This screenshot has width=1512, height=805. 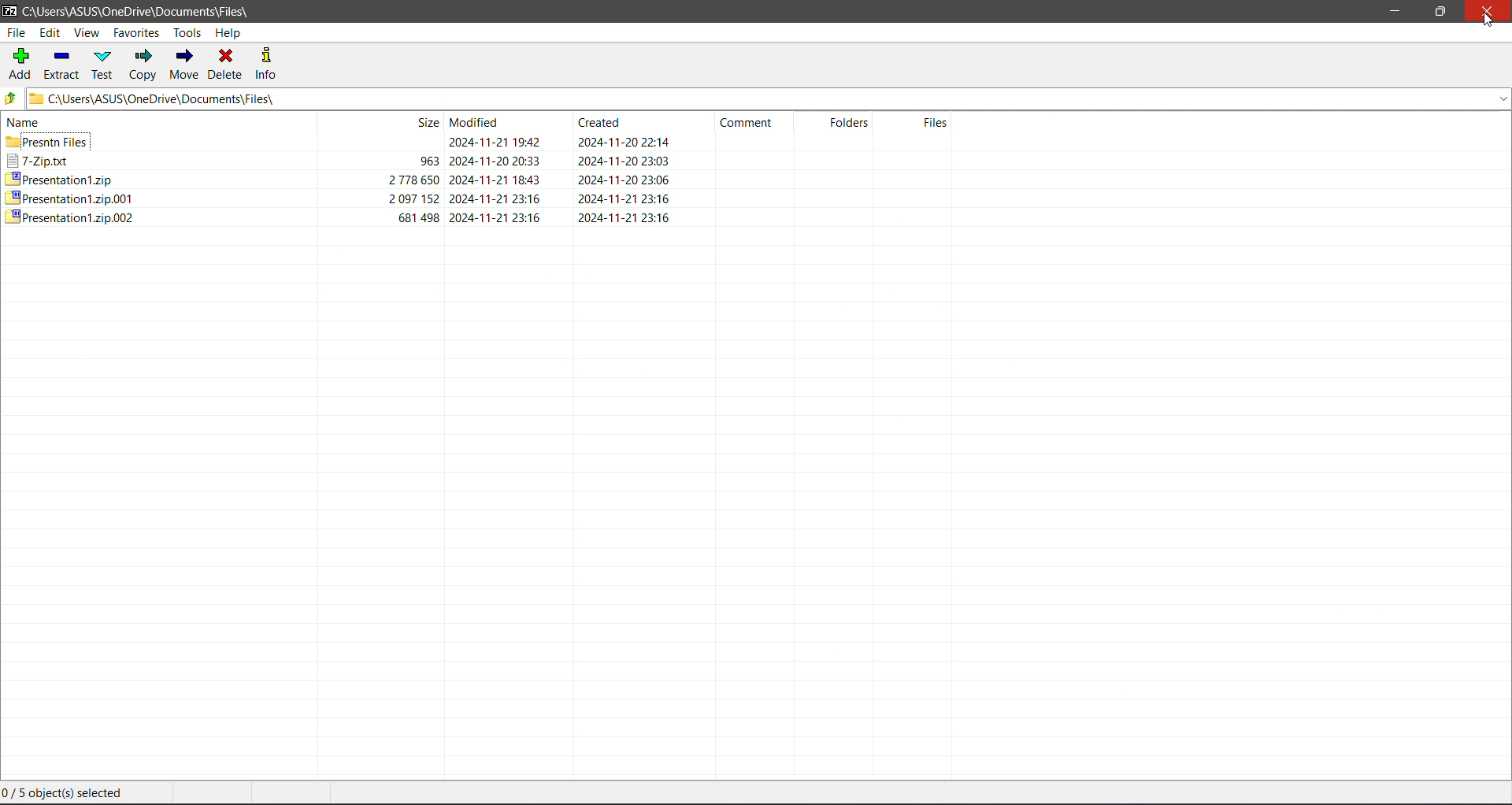 I want to click on Close, so click(x=1487, y=13).